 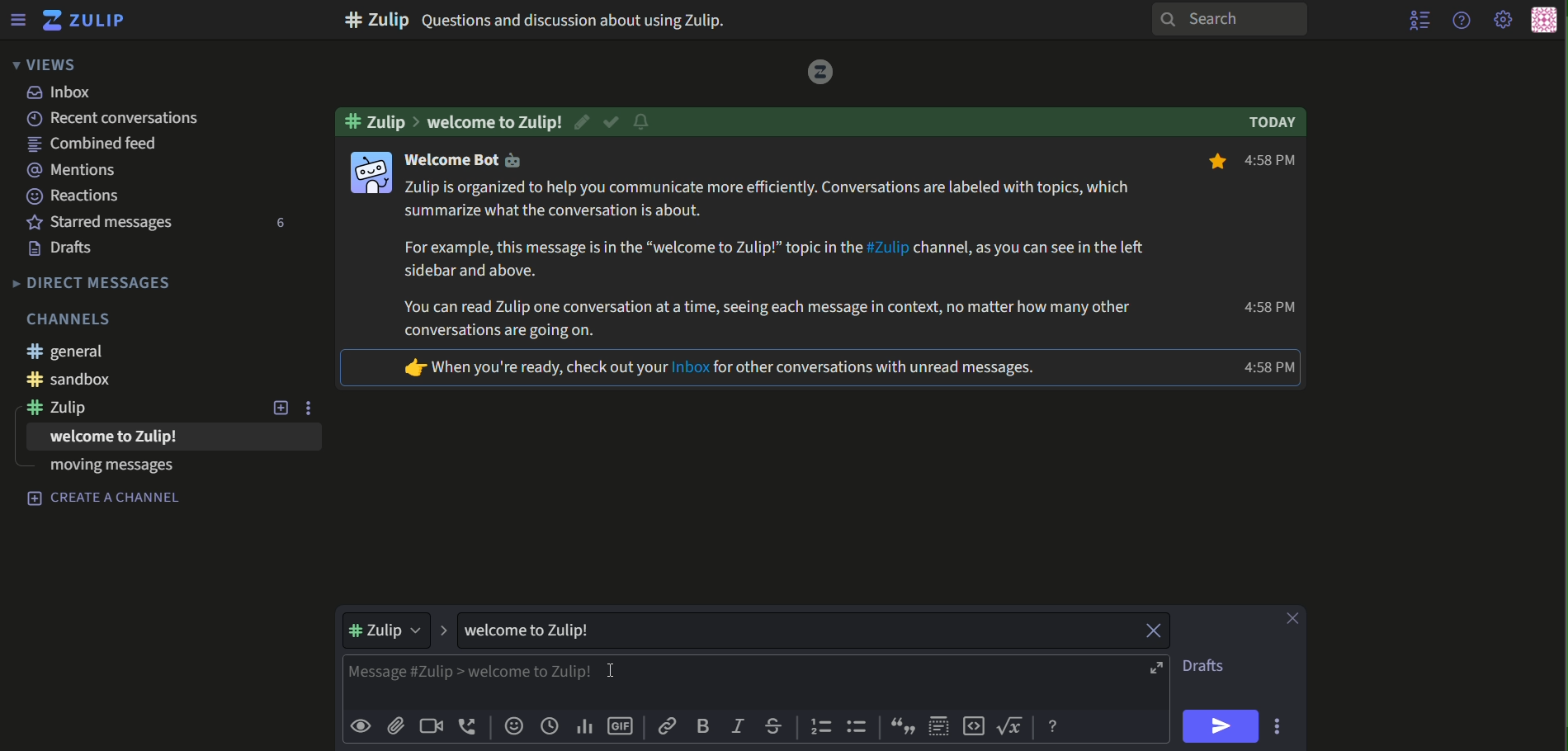 I want to click on text, so click(x=98, y=380).